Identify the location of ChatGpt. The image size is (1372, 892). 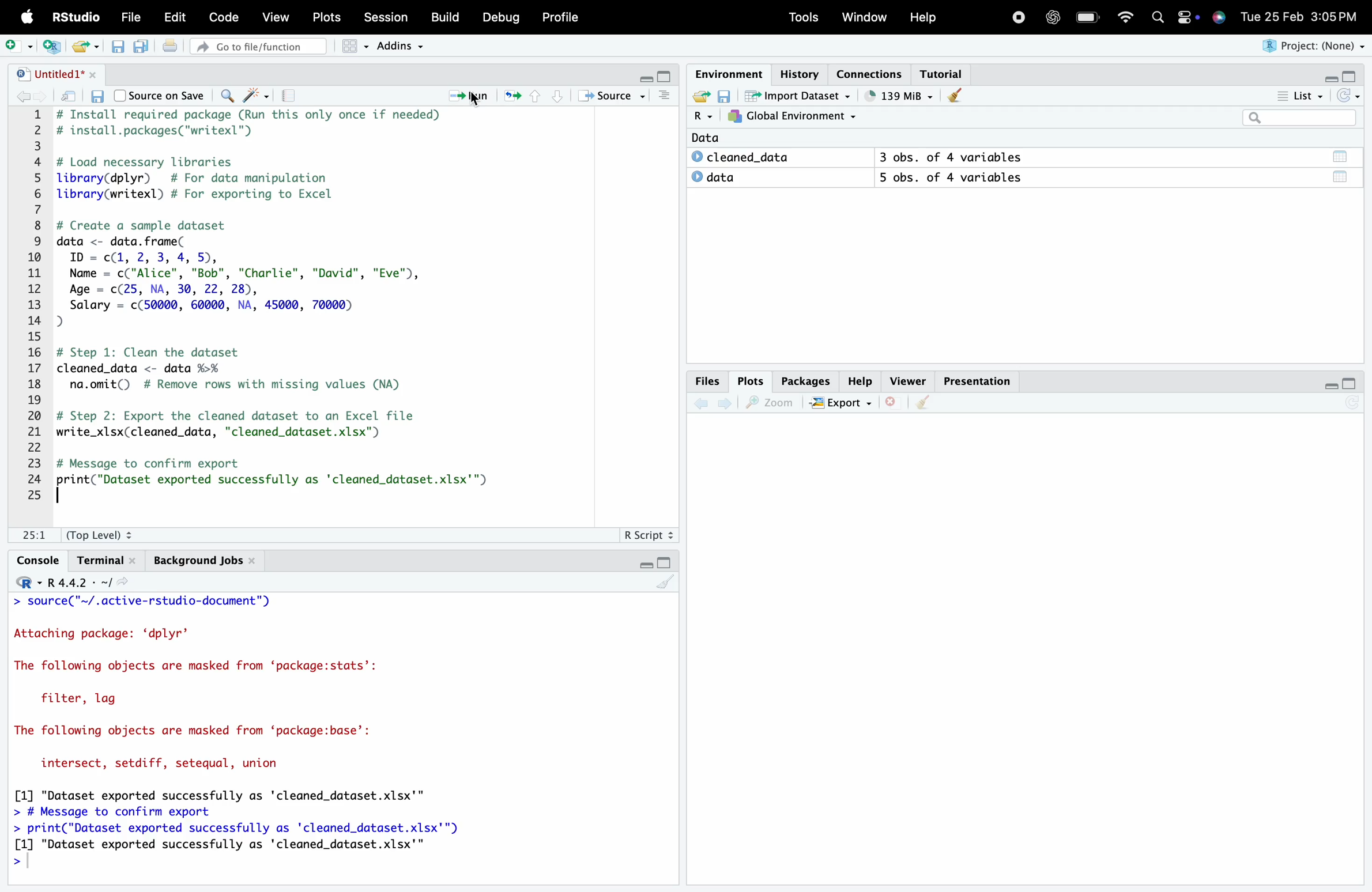
(1053, 15).